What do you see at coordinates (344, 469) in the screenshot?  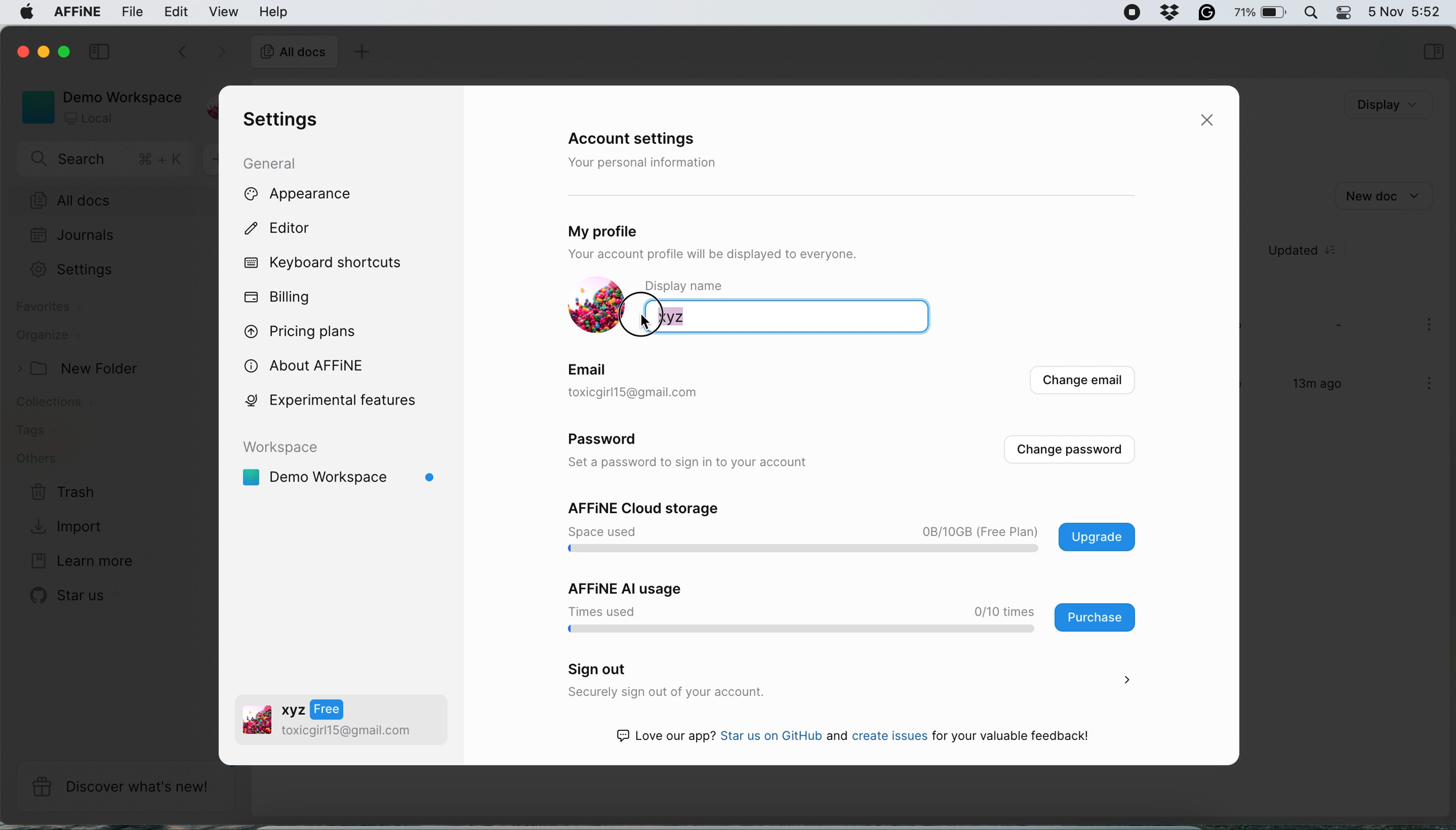 I see `demo workspace` at bounding box center [344, 469].